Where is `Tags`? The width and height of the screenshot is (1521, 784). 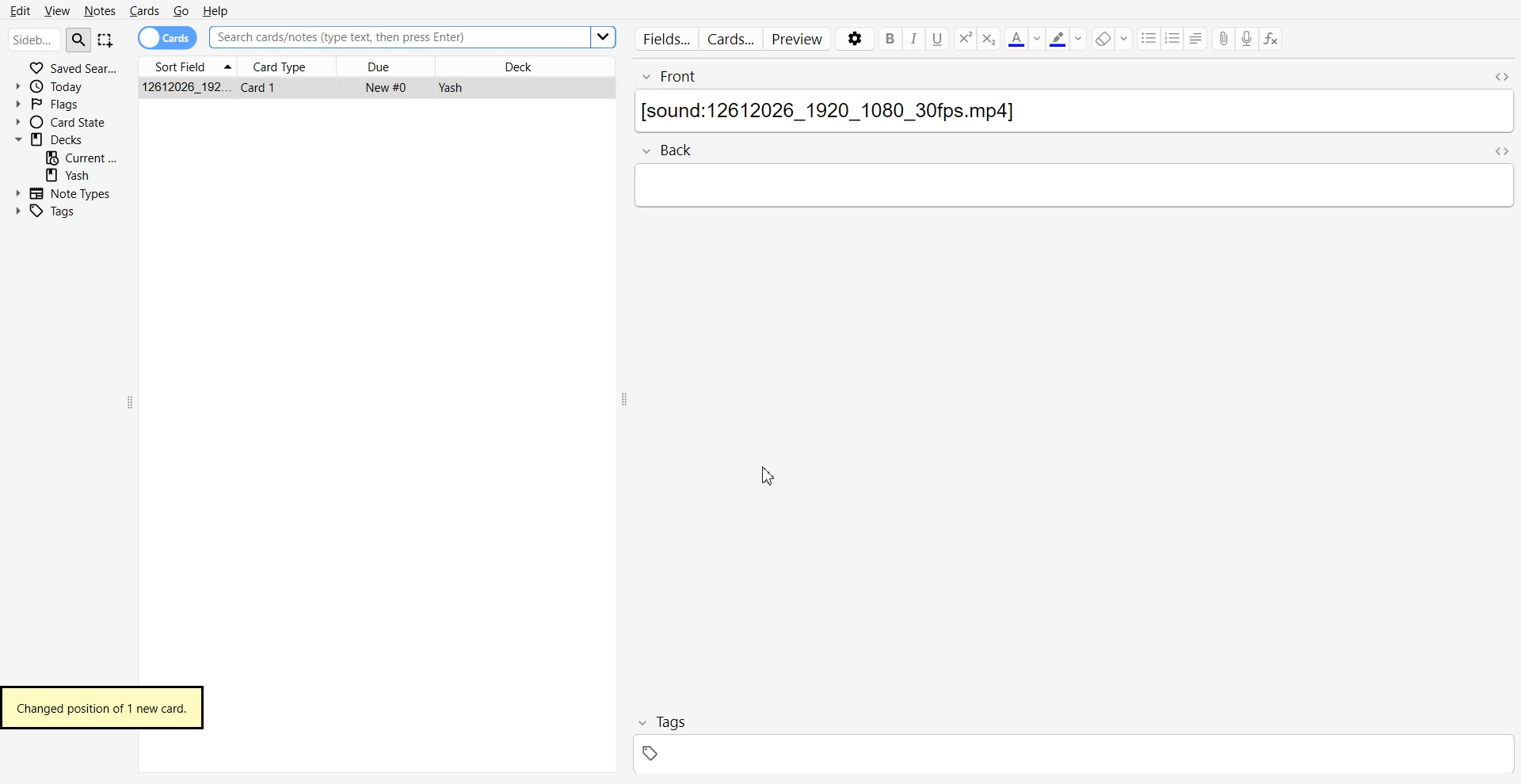 Tags is located at coordinates (55, 211).